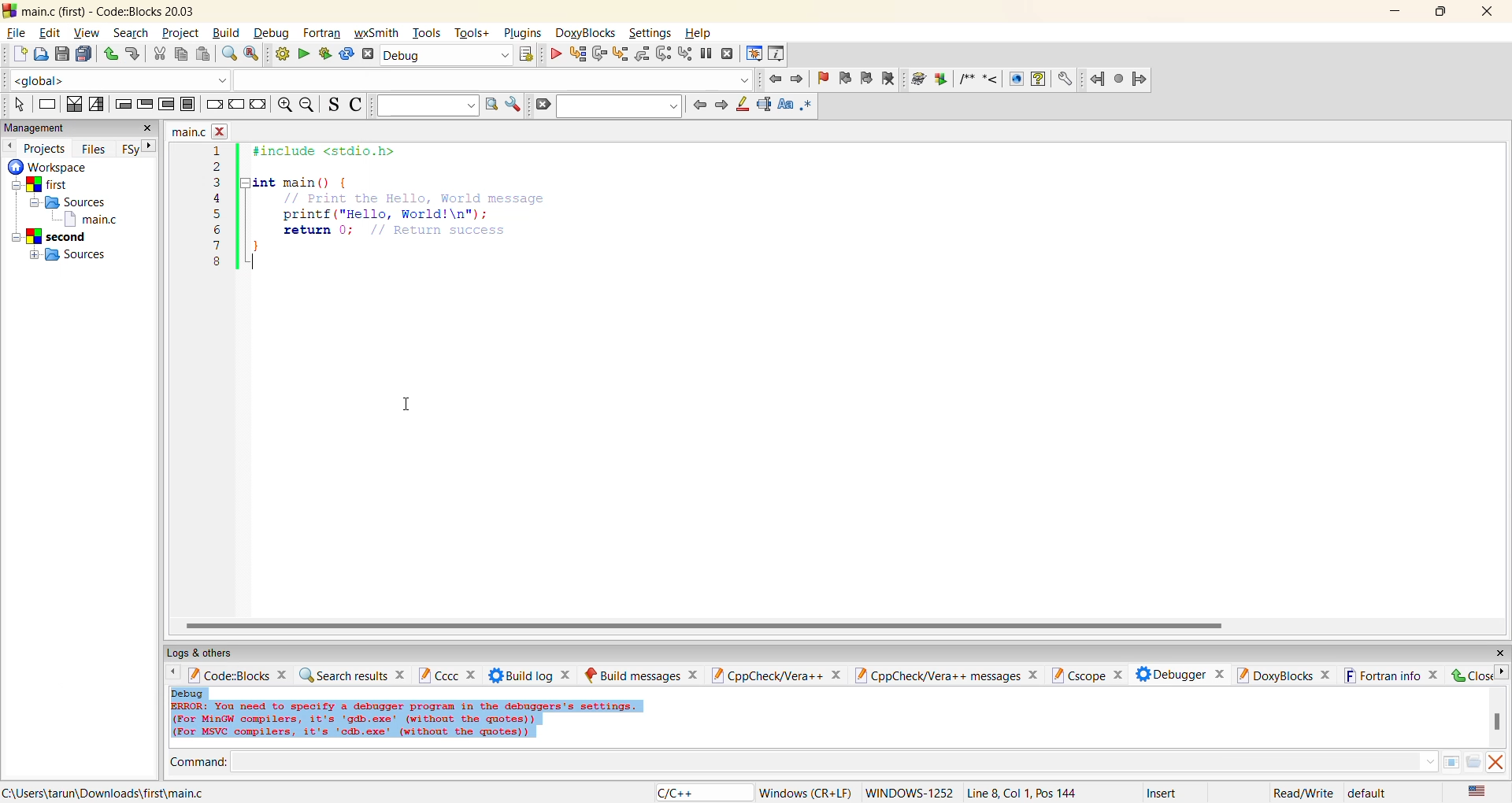  Describe the element at coordinates (279, 54) in the screenshot. I see `build` at that location.